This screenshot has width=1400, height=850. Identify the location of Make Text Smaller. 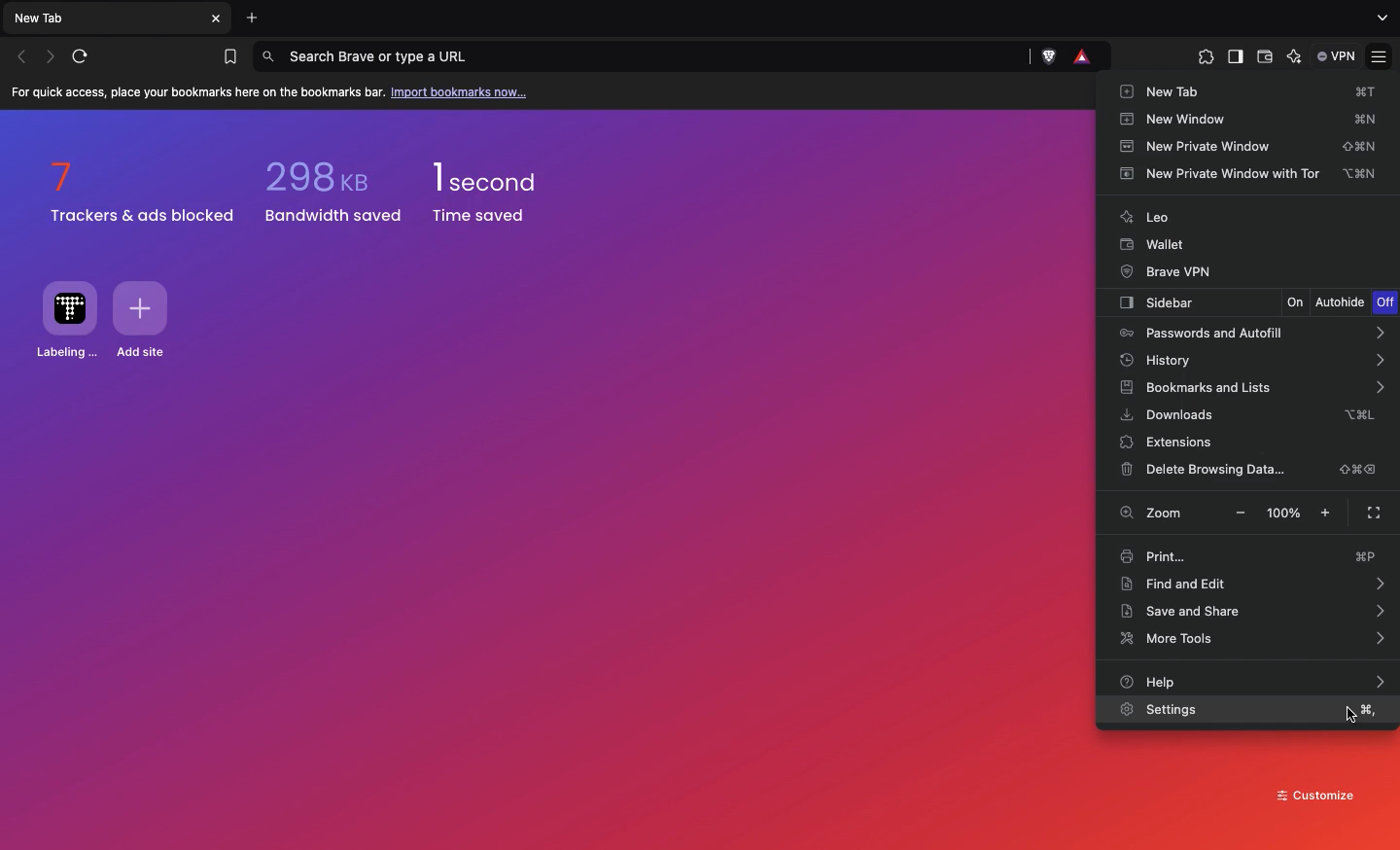
(1241, 511).